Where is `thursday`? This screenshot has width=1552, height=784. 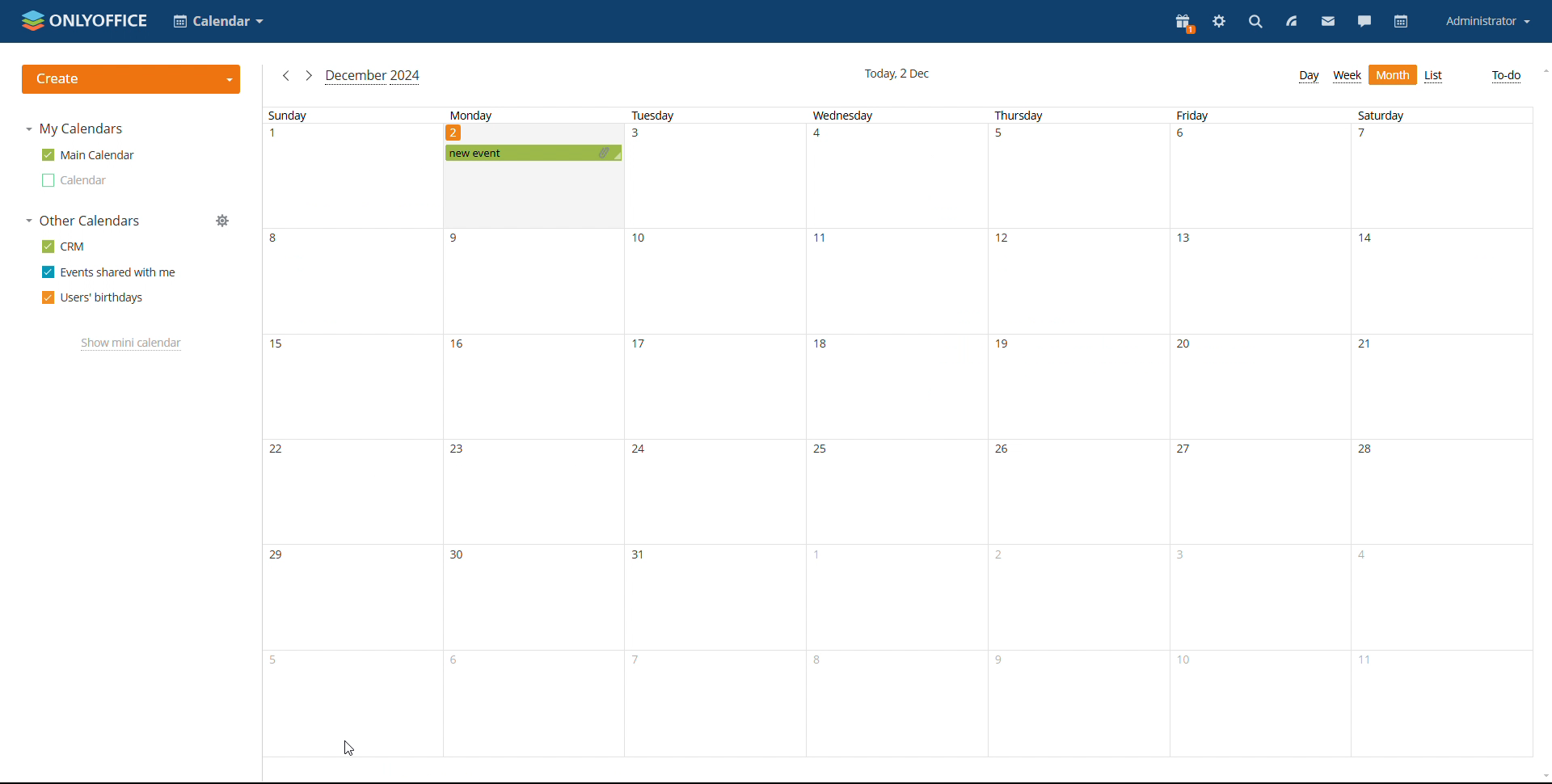
thursday is located at coordinates (1079, 431).